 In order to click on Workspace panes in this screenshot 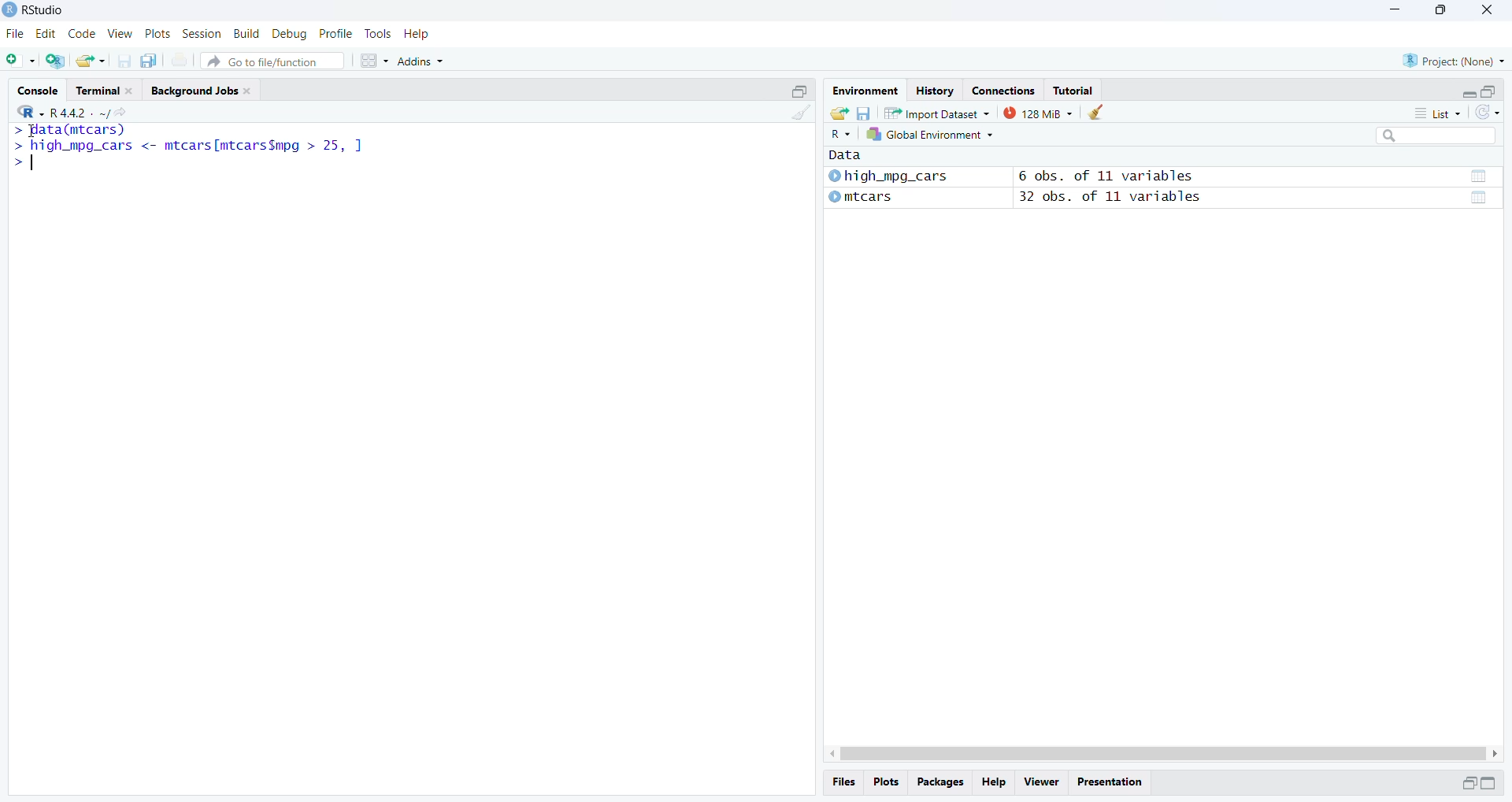, I will do `click(374, 61)`.